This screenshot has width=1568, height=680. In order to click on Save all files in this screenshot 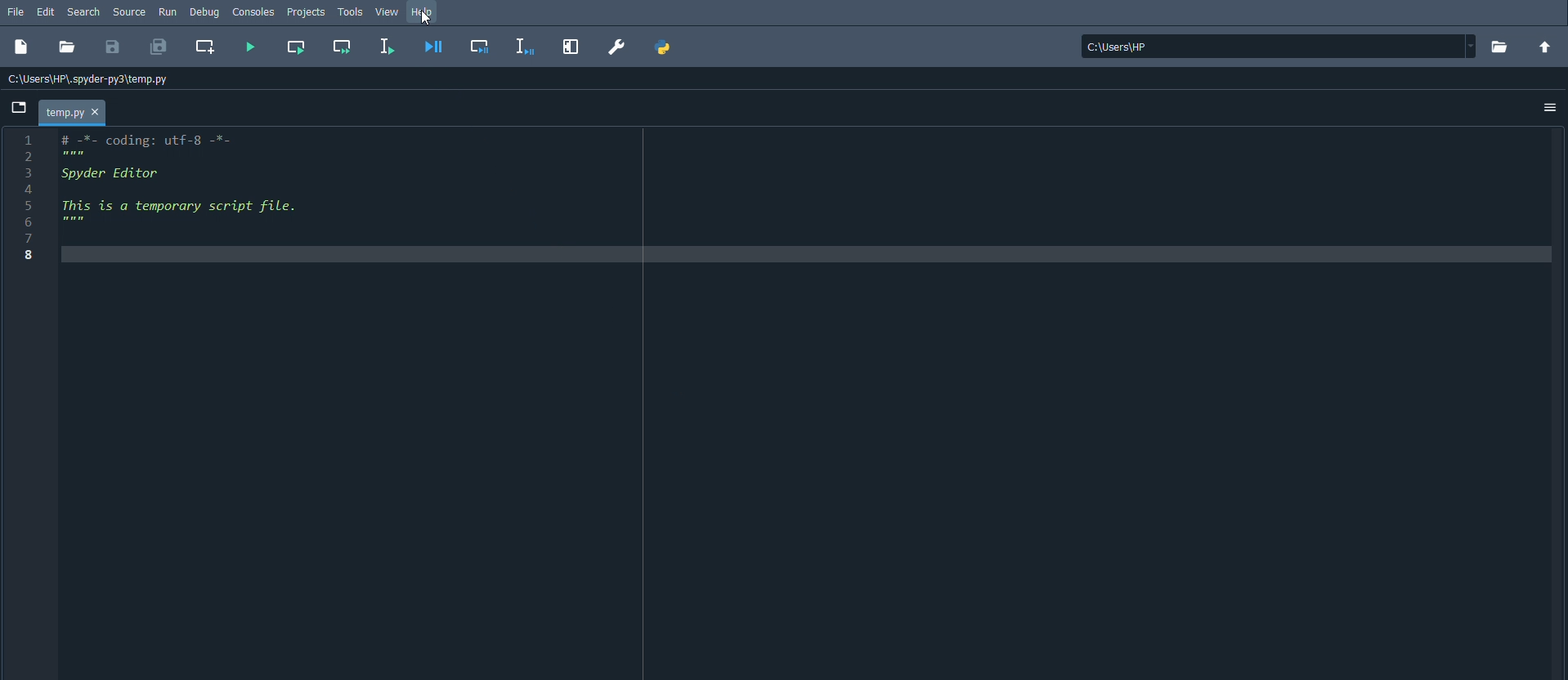, I will do `click(157, 47)`.